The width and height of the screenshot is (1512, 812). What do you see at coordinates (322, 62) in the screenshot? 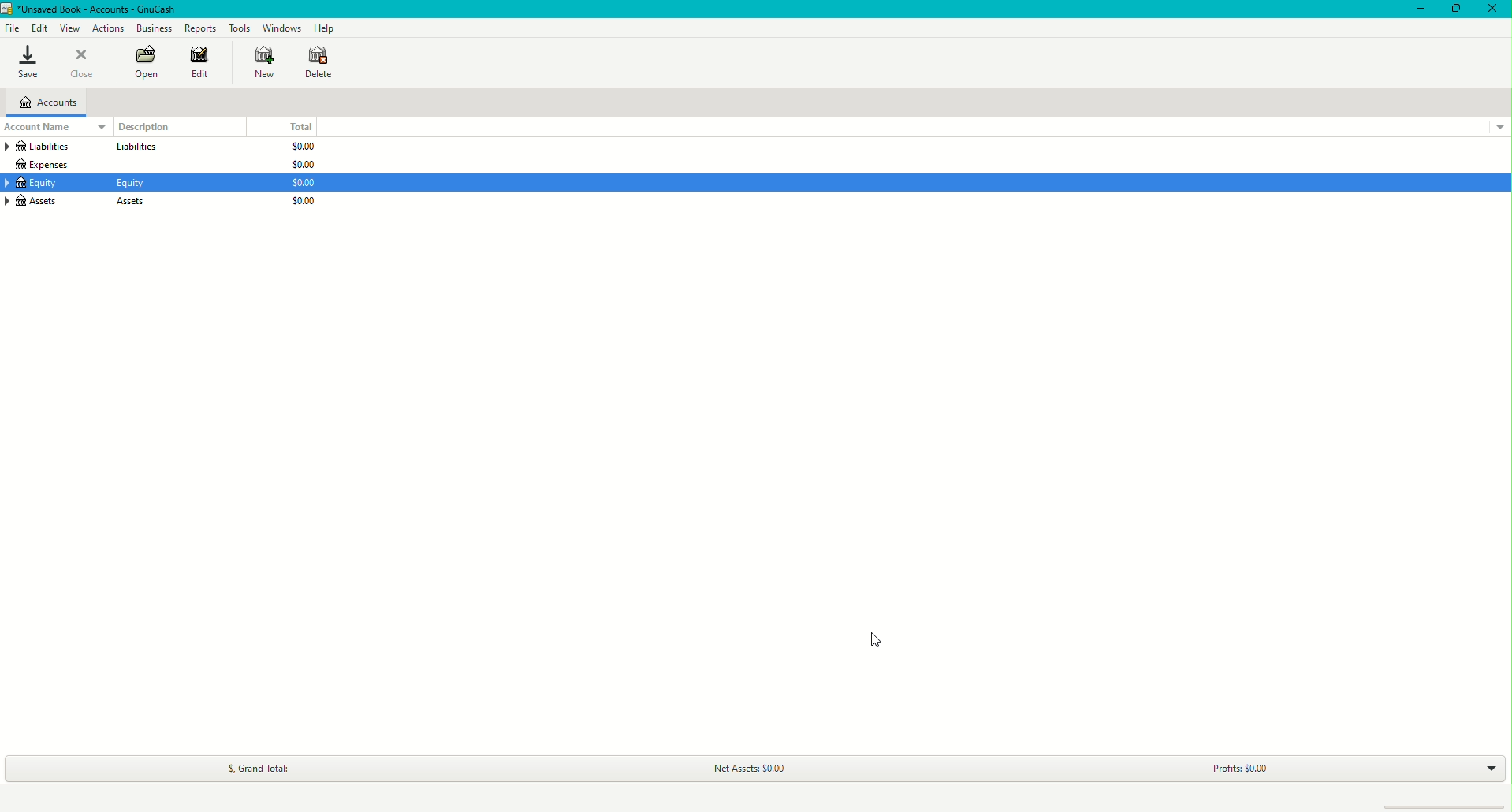
I see `Delete` at bounding box center [322, 62].